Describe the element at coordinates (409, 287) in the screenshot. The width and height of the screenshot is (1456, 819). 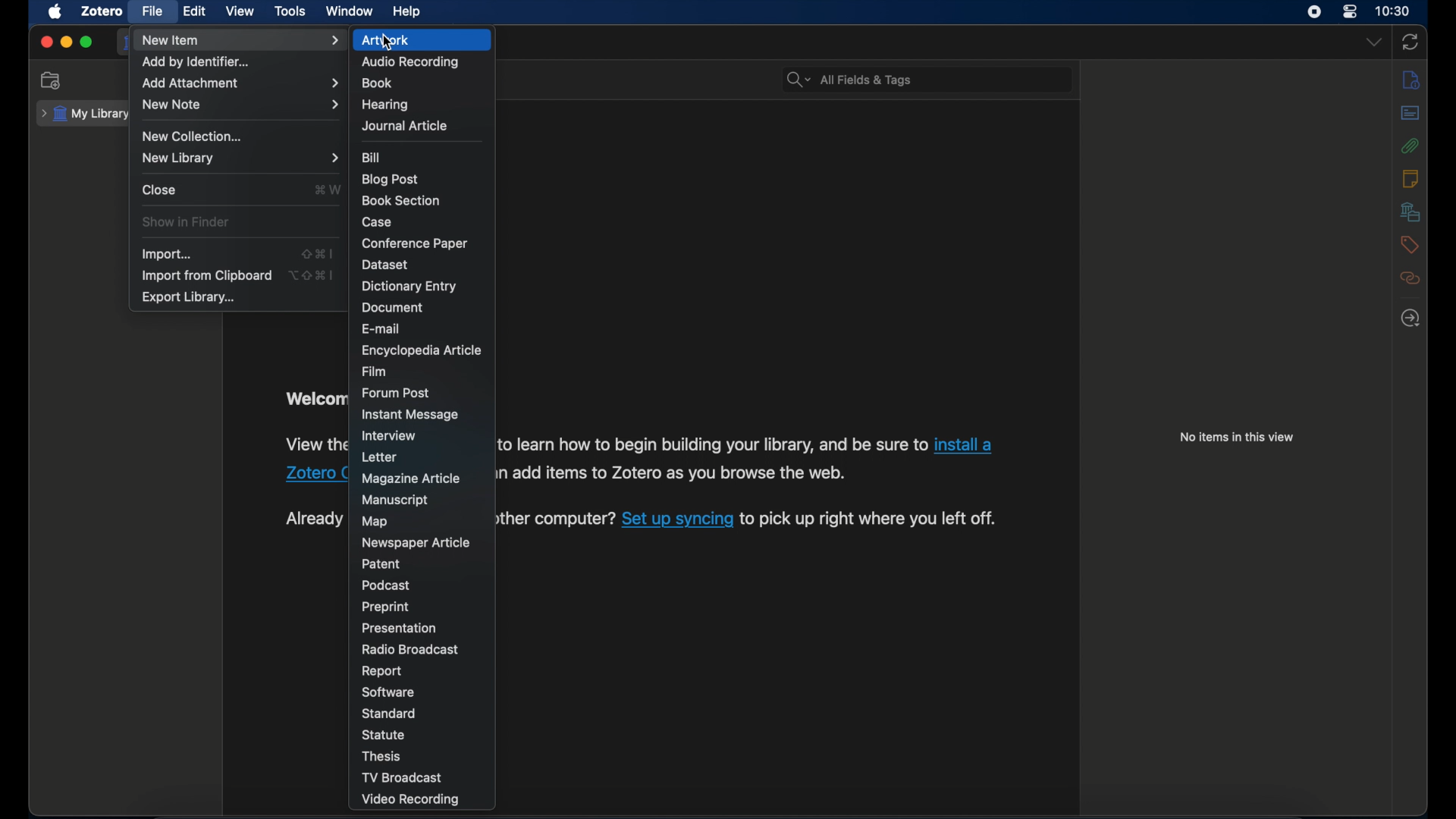
I see `dictionary entry` at that location.